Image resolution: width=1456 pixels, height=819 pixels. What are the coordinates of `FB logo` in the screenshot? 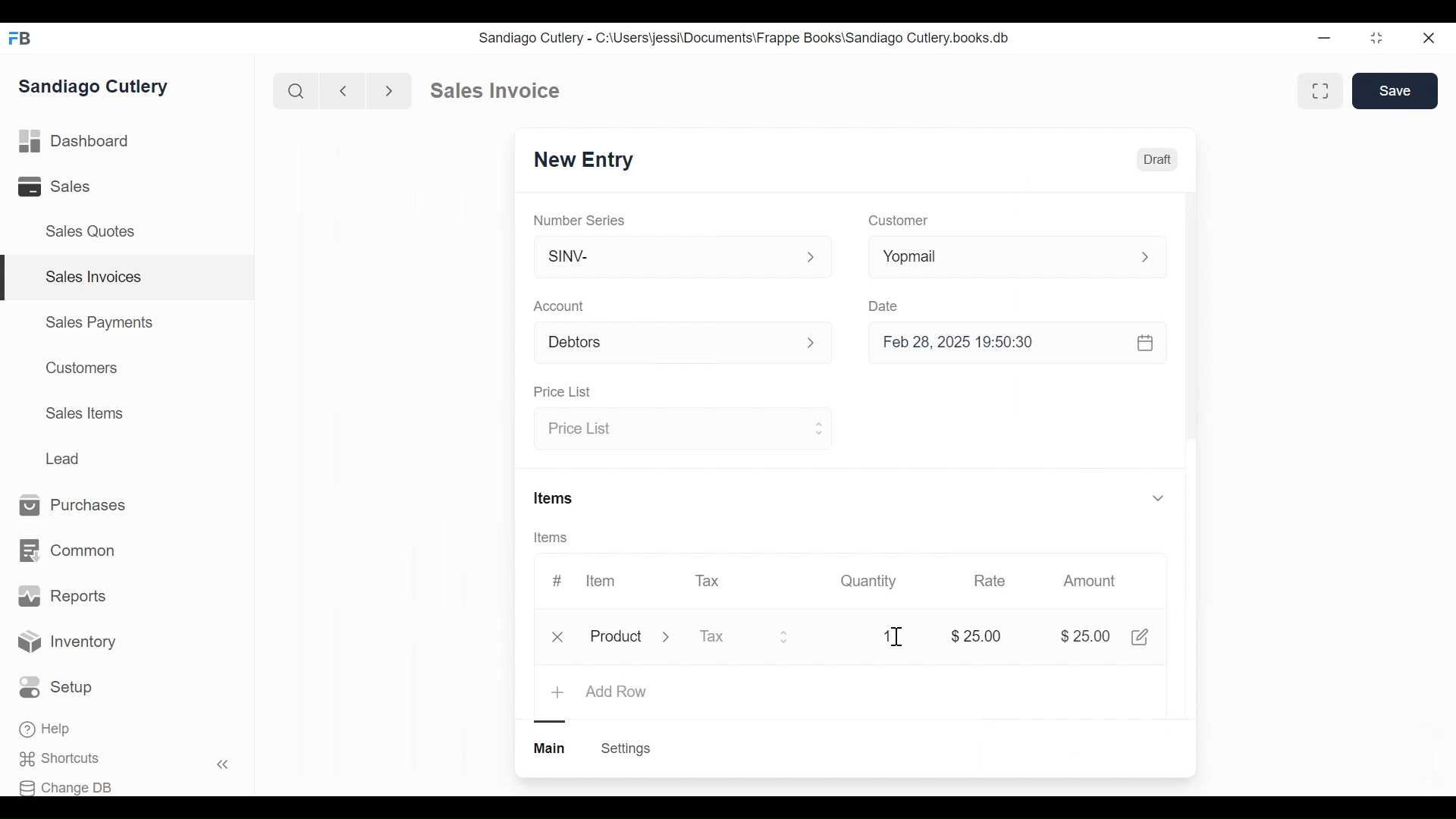 It's located at (20, 38).